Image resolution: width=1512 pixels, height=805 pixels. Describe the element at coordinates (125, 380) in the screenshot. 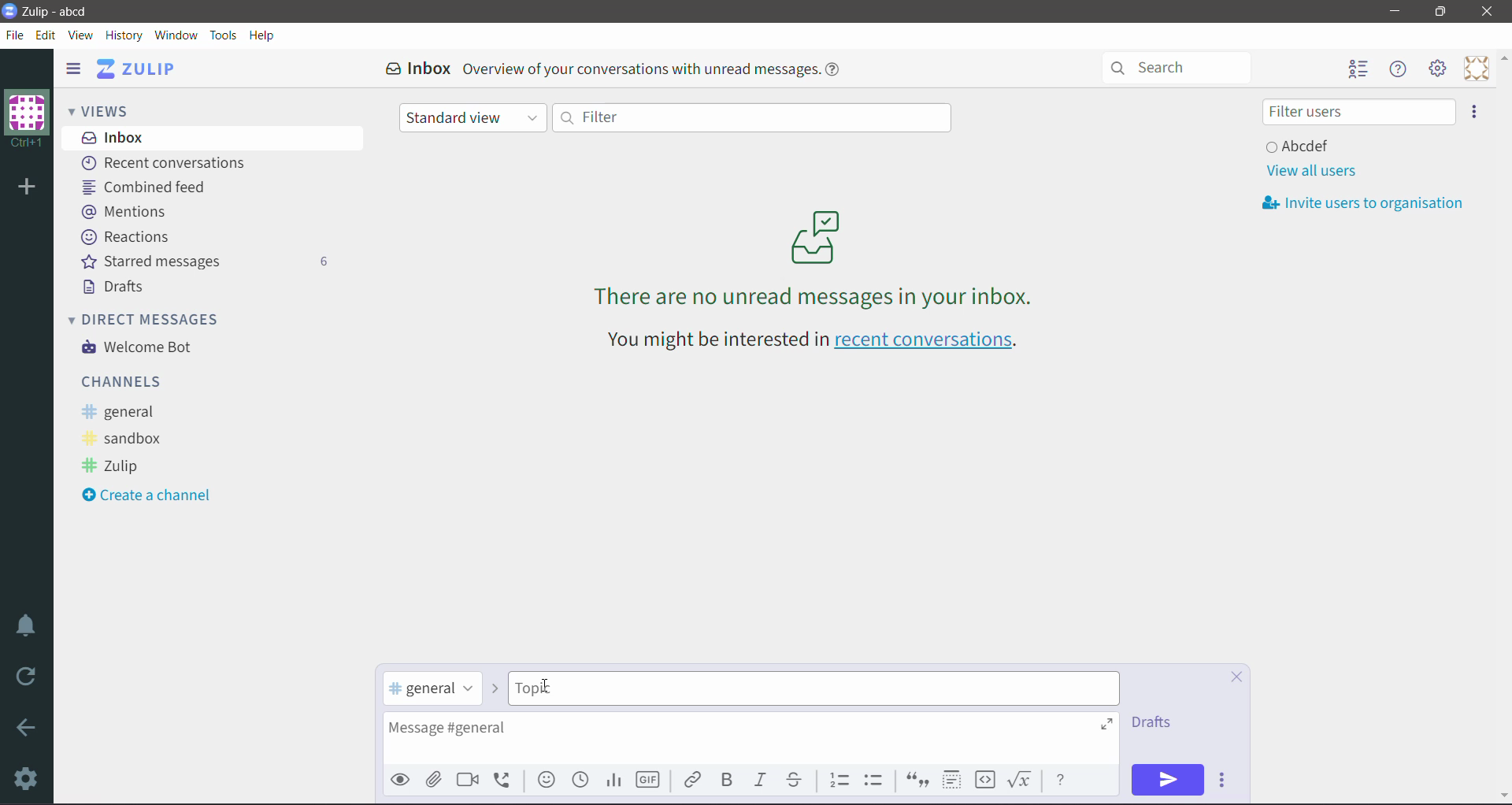

I see `Channels` at that location.